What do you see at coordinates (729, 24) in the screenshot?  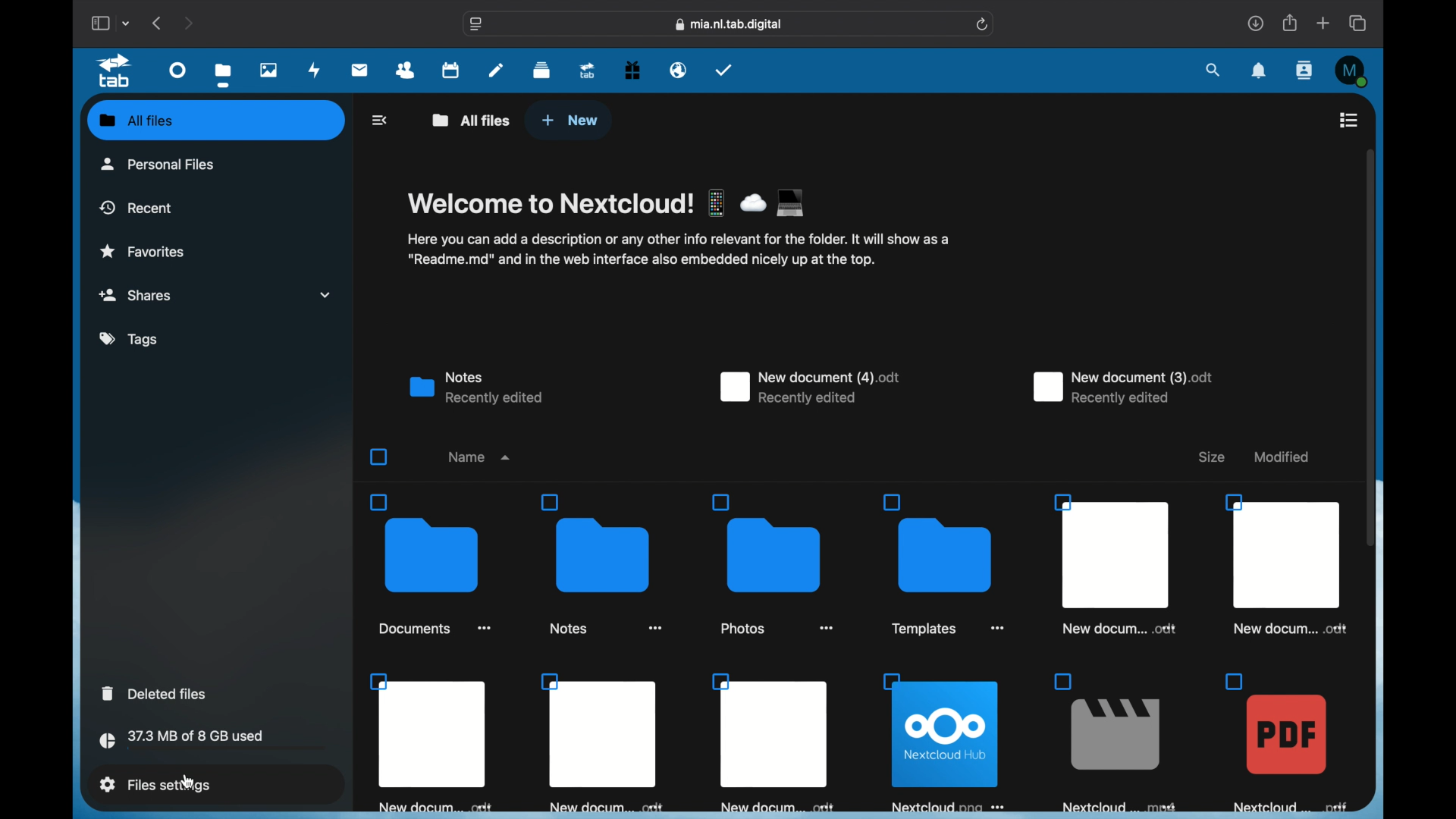 I see `web address` at bounding box center [729, 24].